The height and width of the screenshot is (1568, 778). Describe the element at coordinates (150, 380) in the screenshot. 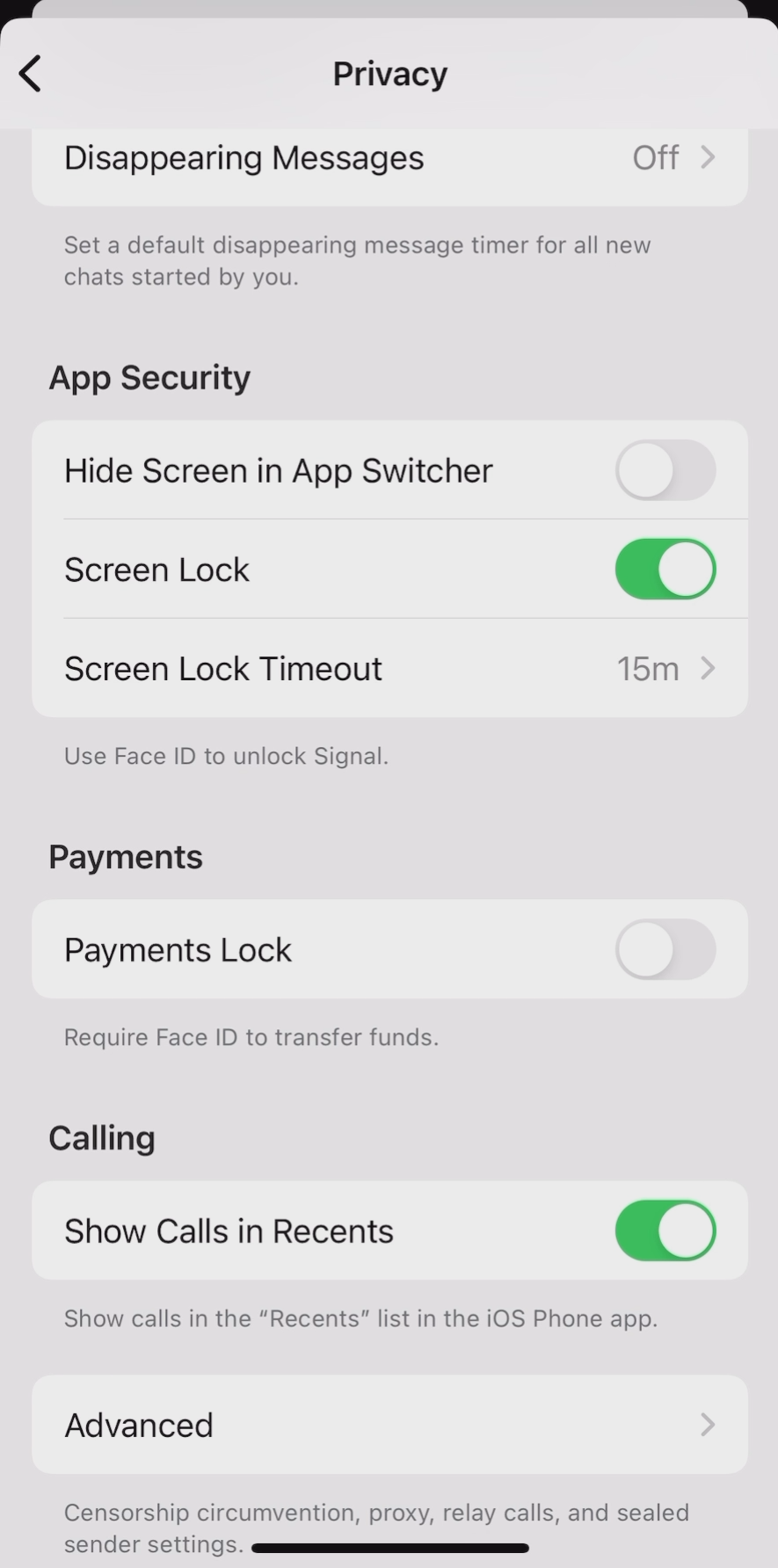

I see `App Security` at that location.